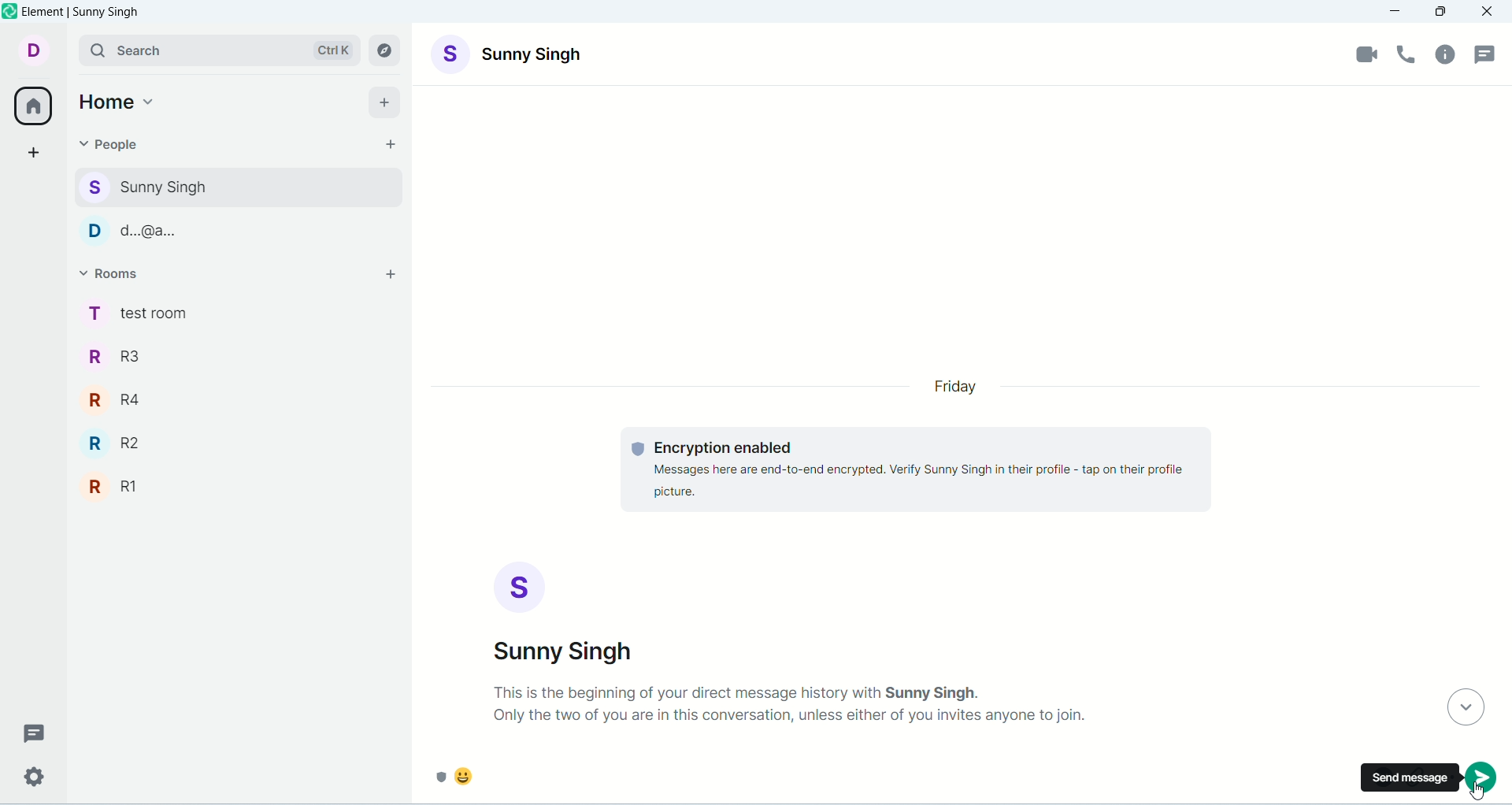  I want to click on video call, so click(1365, 54).